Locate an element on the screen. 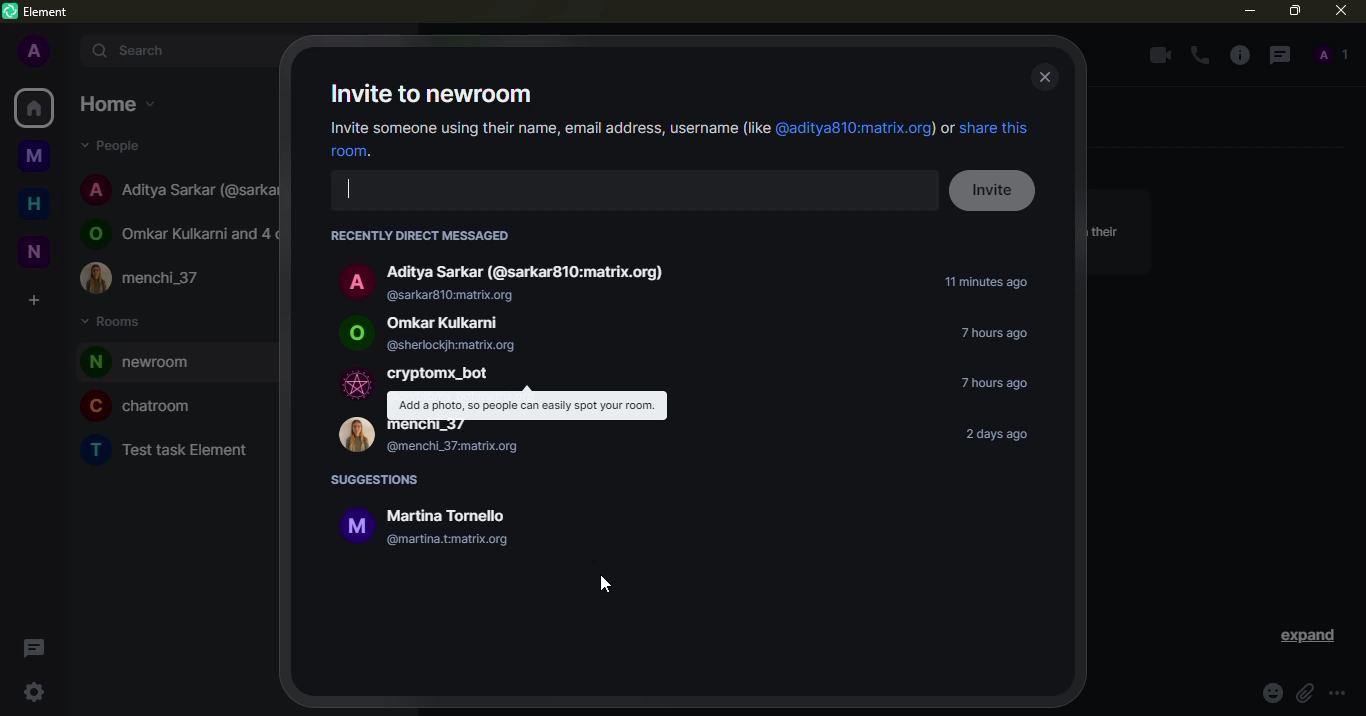 This screenshot has height=716, width=1366. close is located at coordinates (1044, 77).